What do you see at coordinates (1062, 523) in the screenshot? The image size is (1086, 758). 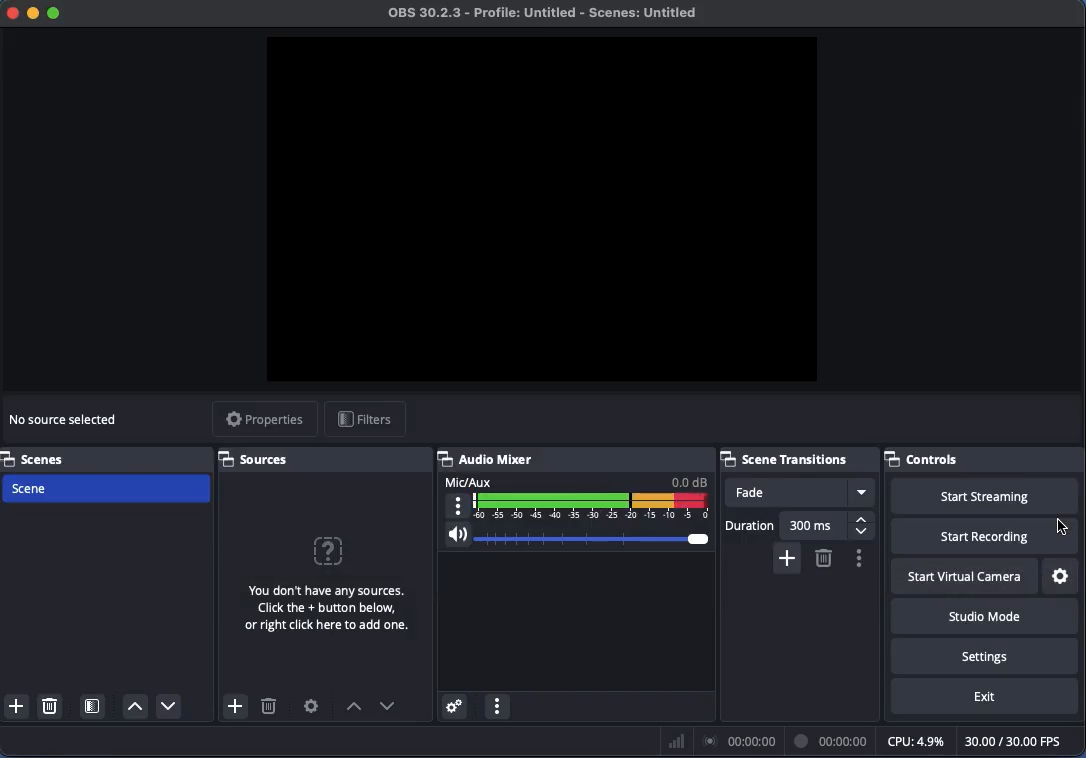 I see `Made switch` at bounding box center [1062, 523].